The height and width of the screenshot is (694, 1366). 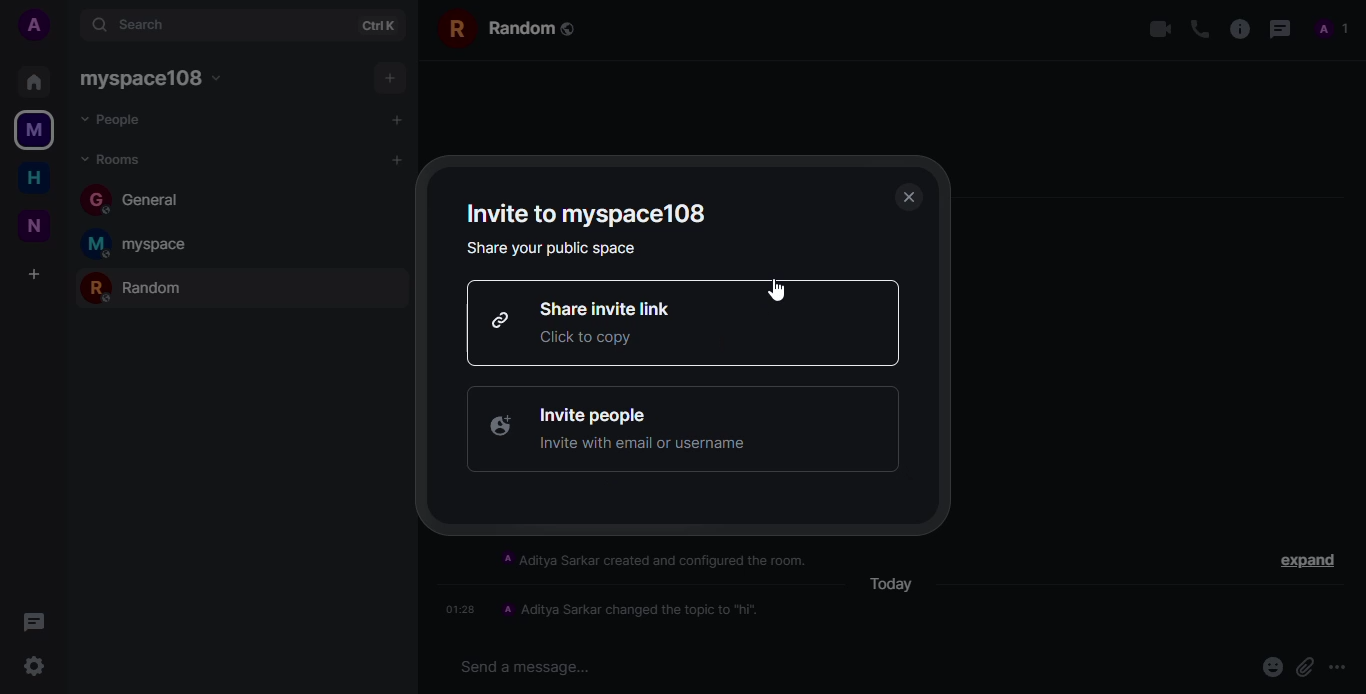 I want to click on myspace, so click(x=35, y=131).